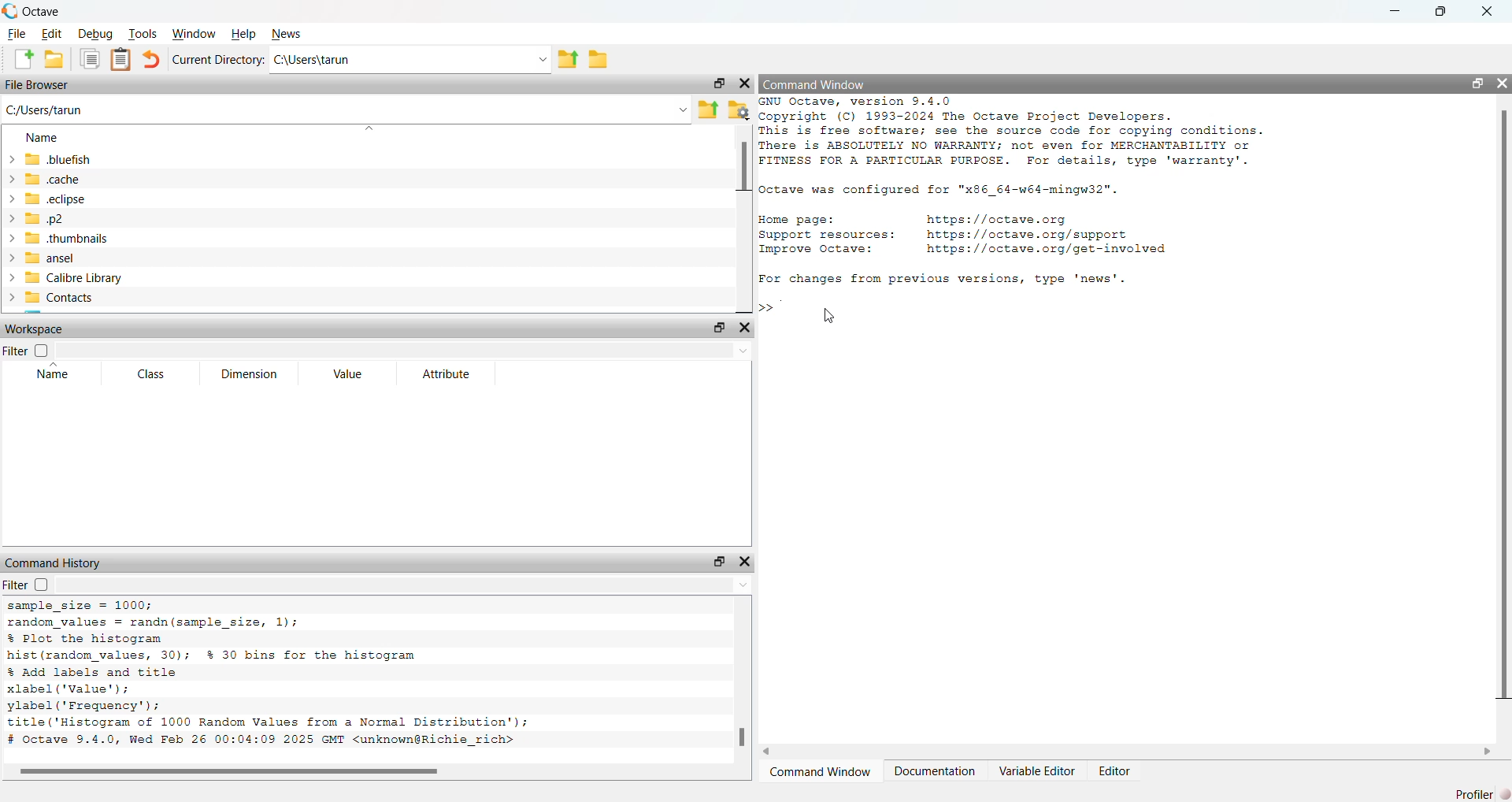  Describe the element at coordinates (773, 309) in the screenshot. I see `typing cursor` at that location.